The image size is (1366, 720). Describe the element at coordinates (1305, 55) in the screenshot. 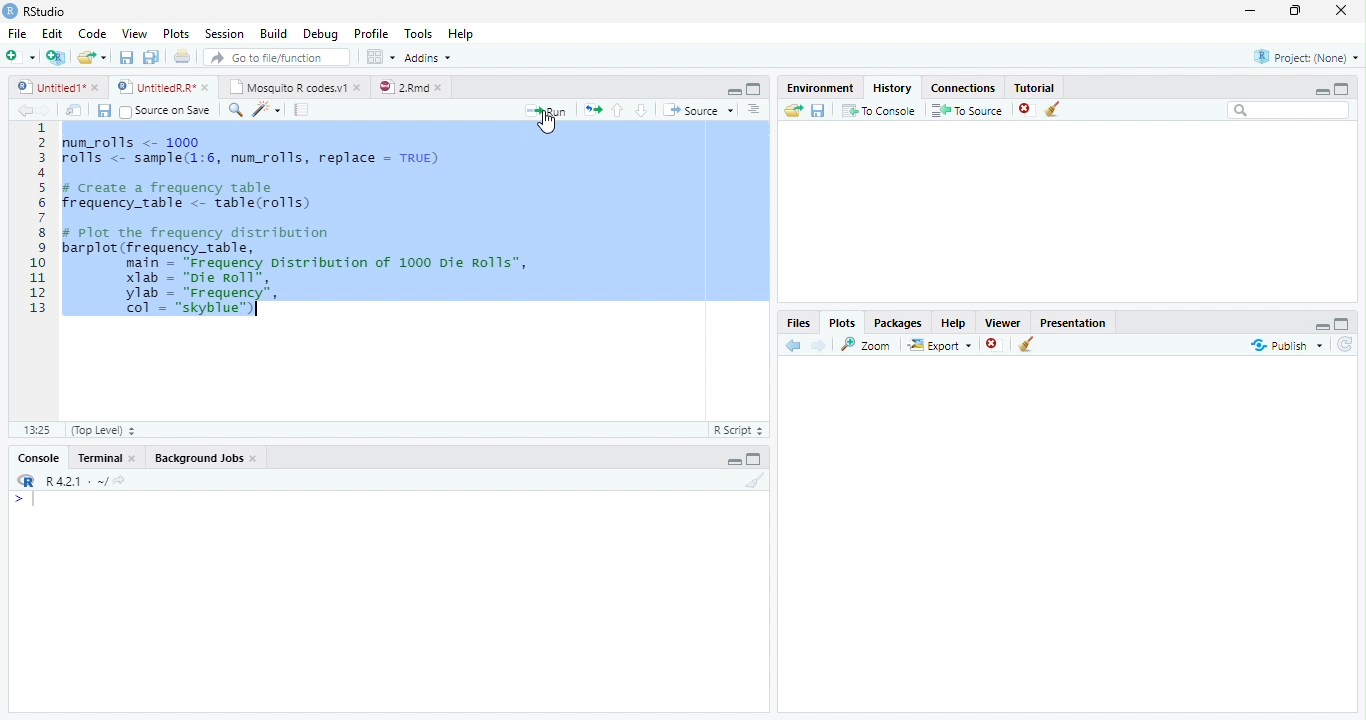

I see `Project: (None)` at that location.